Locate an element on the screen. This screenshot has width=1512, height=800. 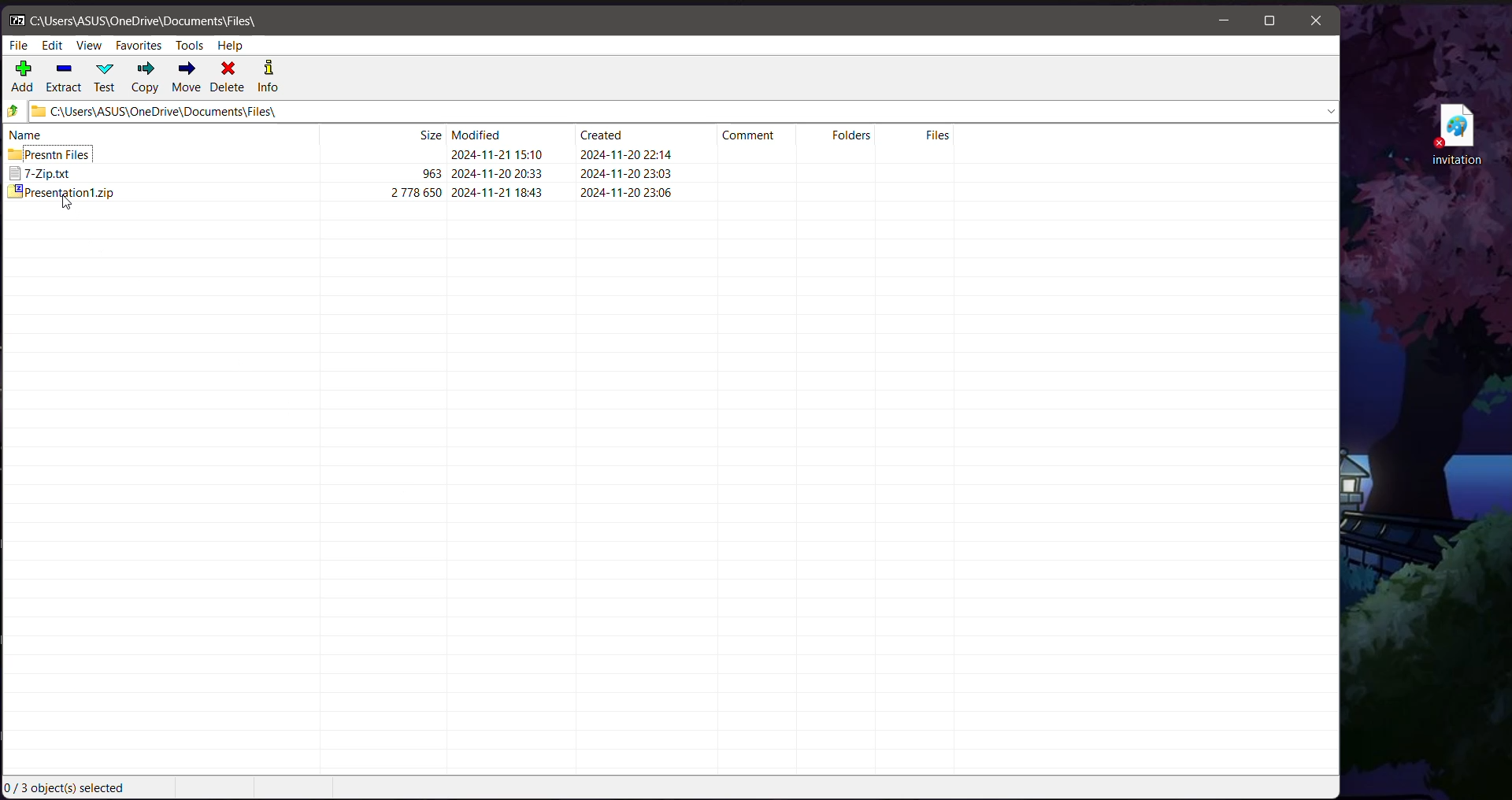
Test is located at coordinates (106, 76).